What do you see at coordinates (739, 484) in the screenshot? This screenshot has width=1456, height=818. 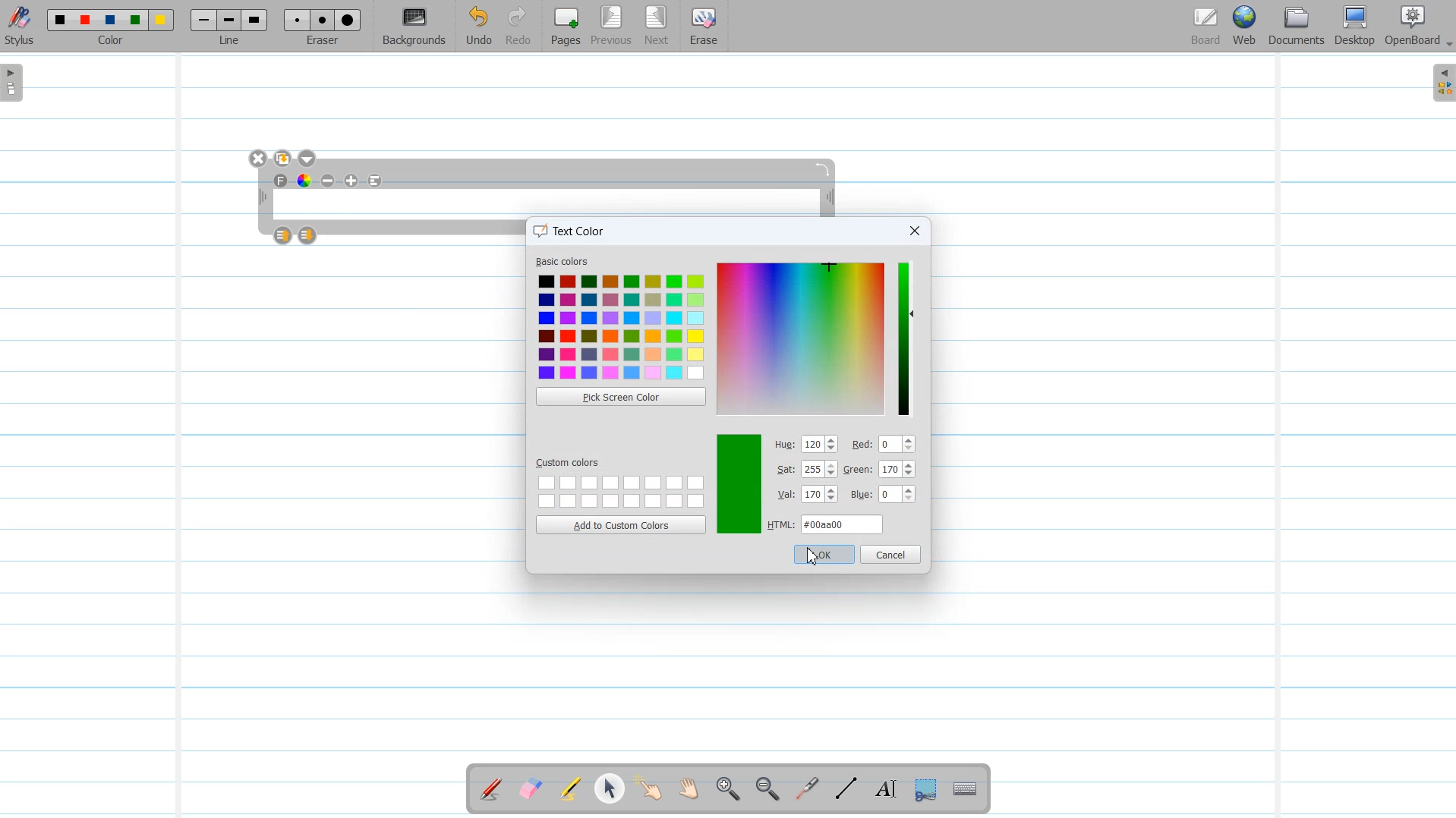 I see `Sample` at bounding box center [739, 484].